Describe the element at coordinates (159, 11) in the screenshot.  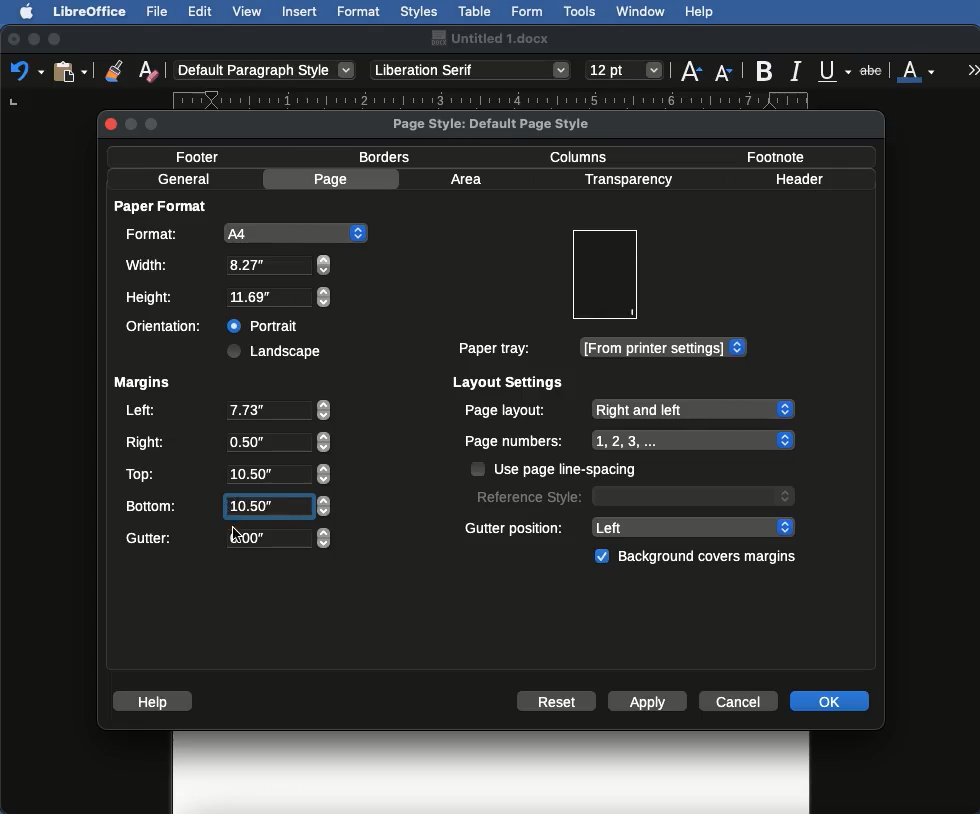
I see `File` at that location.